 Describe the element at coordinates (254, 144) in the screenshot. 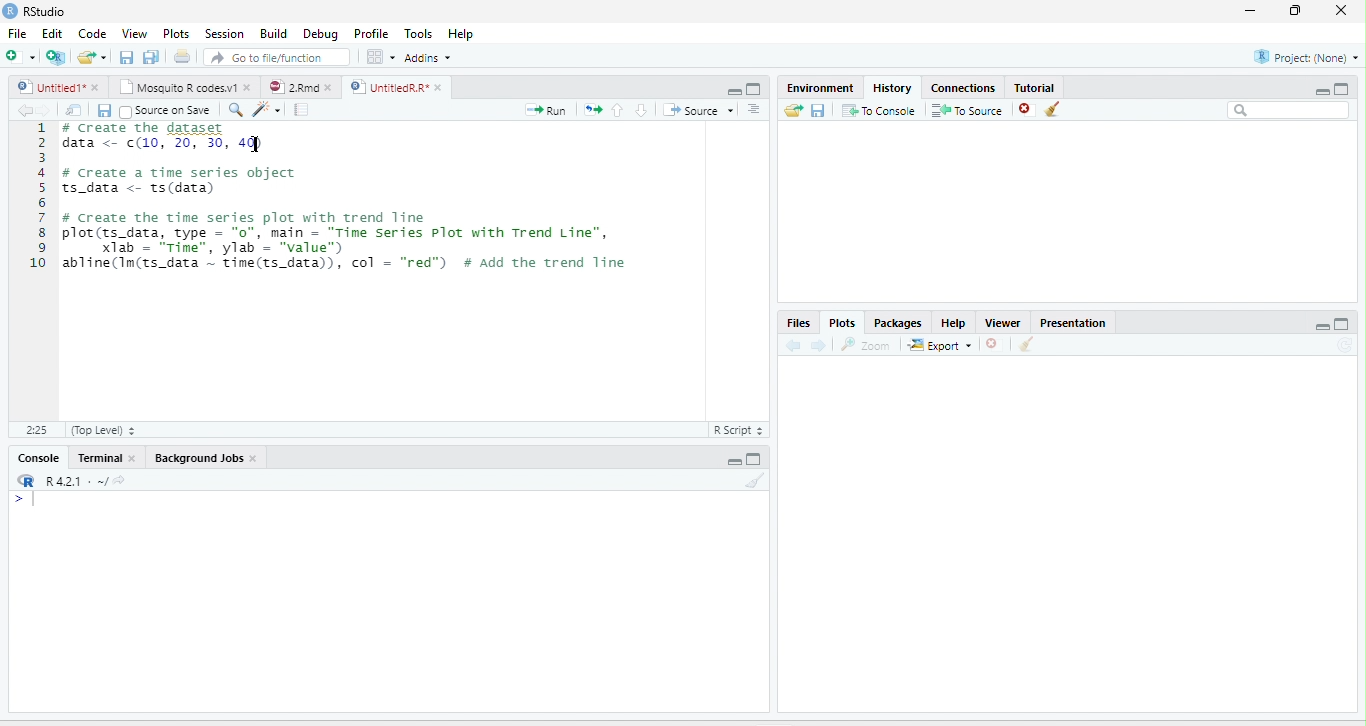

I see `cursor` at that location.